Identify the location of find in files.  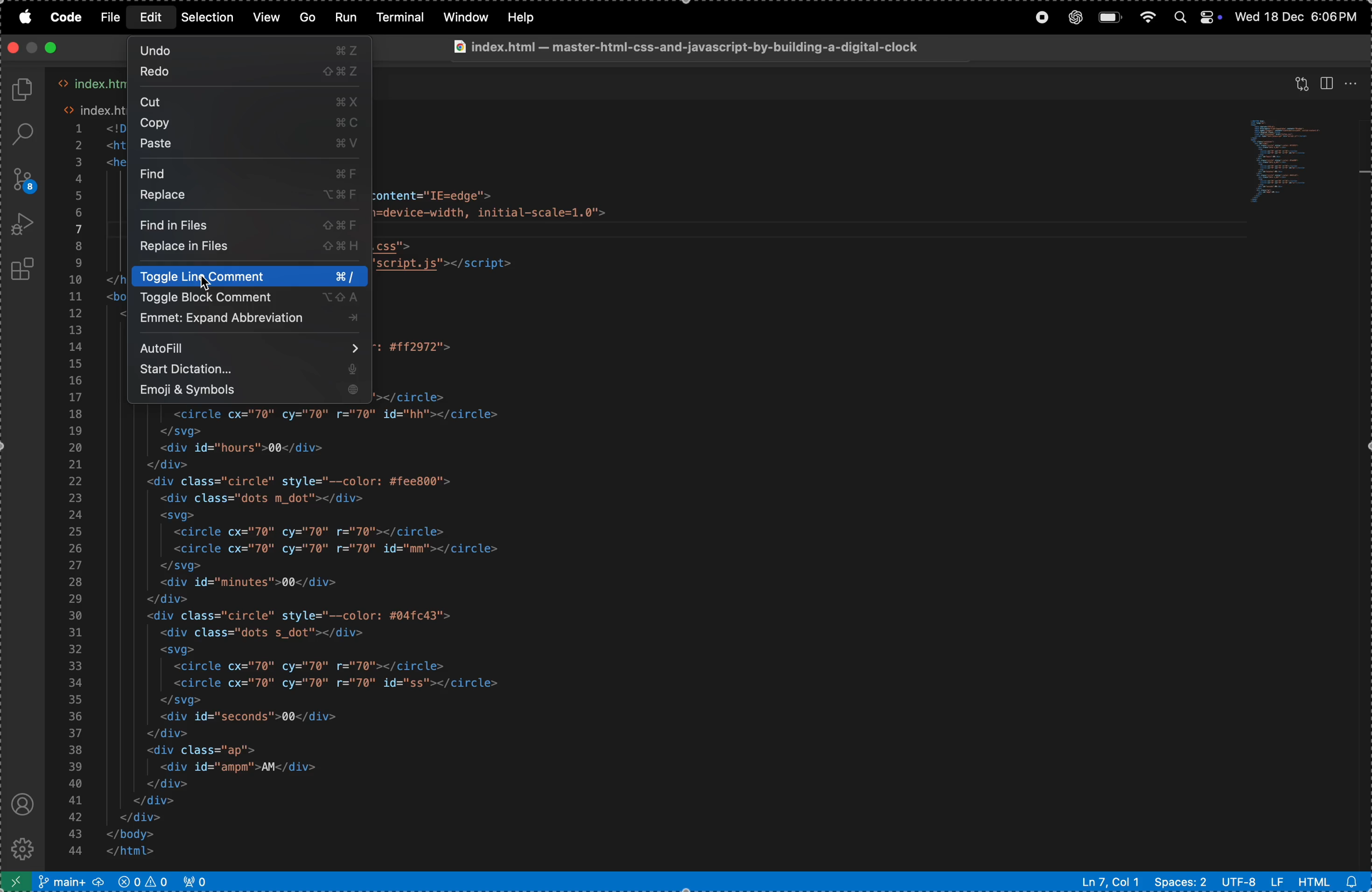
(246, 223).